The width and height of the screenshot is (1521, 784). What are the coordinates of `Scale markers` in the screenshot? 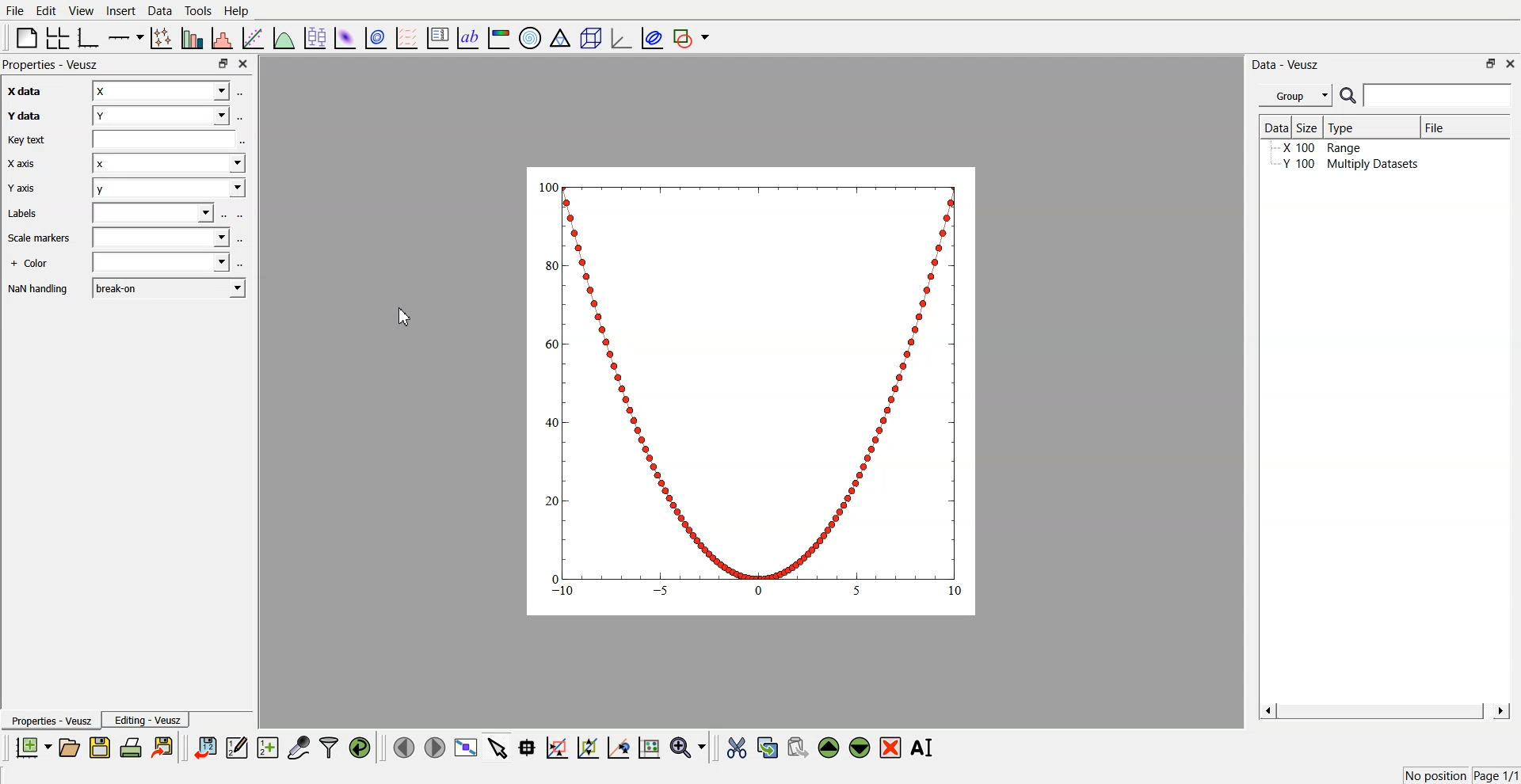 It's located at (41, 239).